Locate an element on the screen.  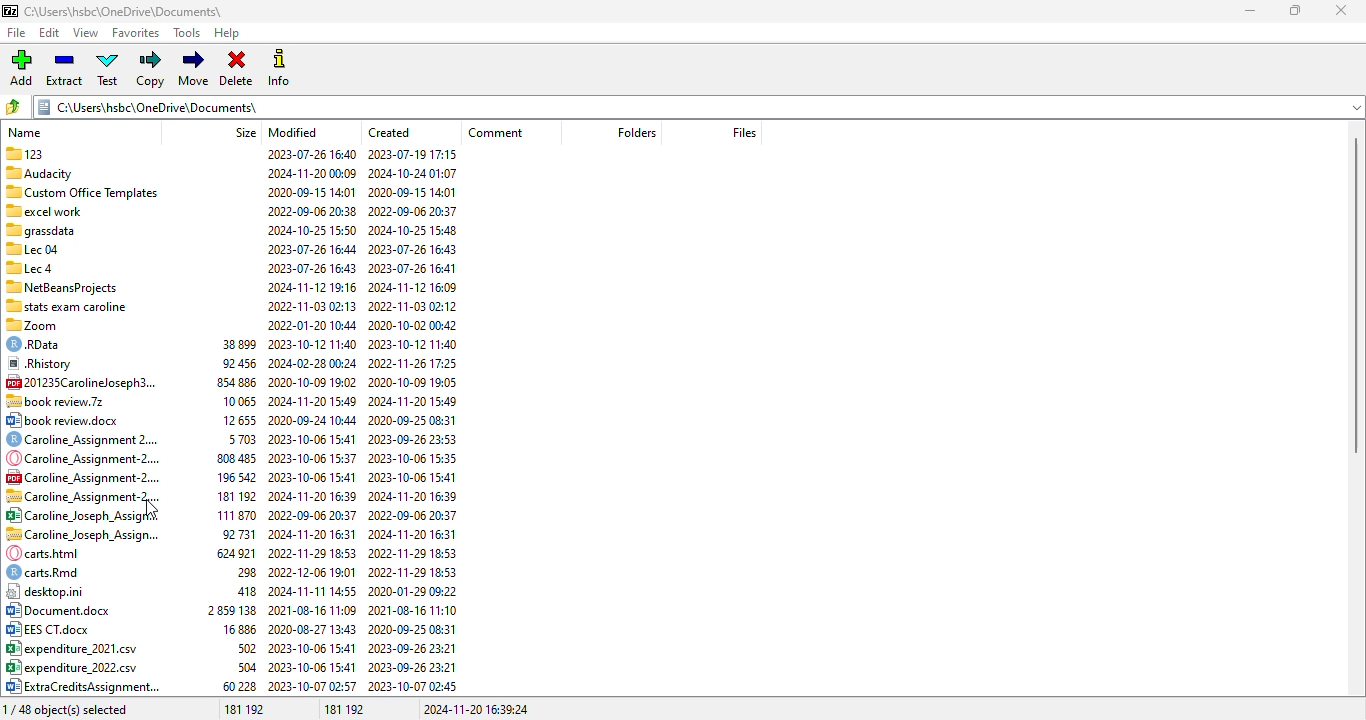
help is located at coordinates (228, 34).